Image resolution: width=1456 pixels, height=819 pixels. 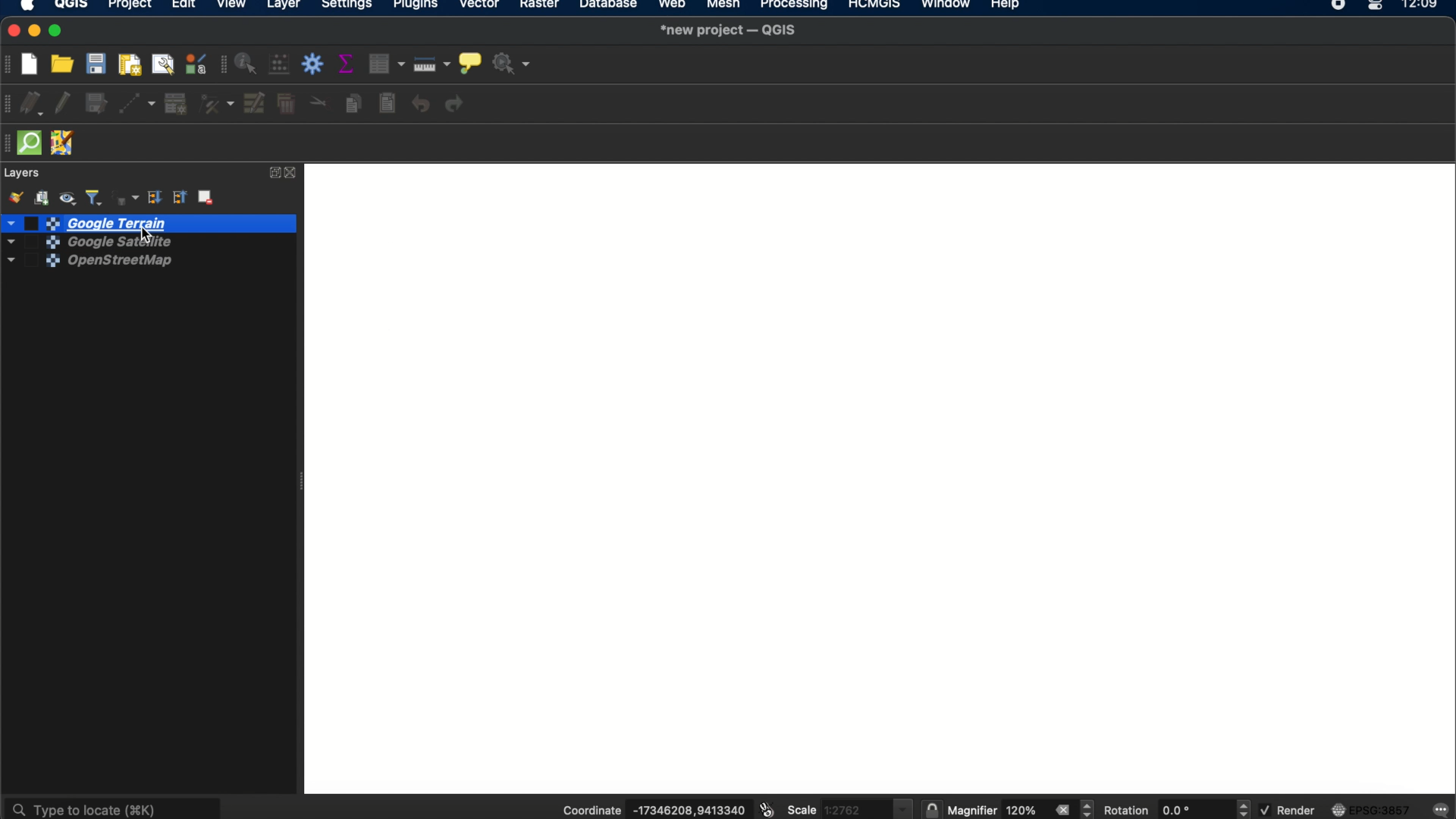 What do you see at coordinates (183, 7) in the screenshot?
I see `edit` at bounding box center [183, 7].